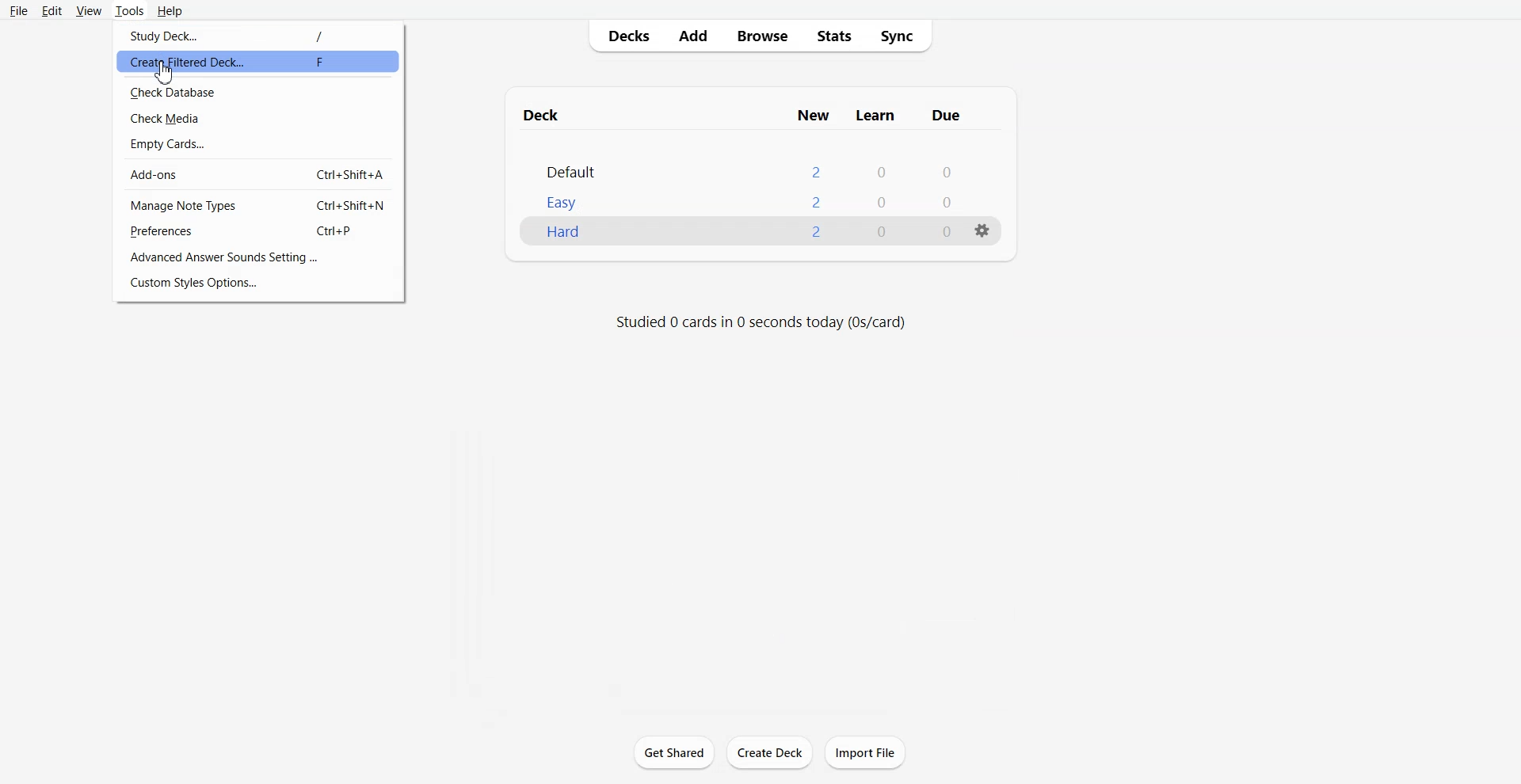 This screenshot has height=784, width=1521. I want to click on Check Media, so click(259, 117).